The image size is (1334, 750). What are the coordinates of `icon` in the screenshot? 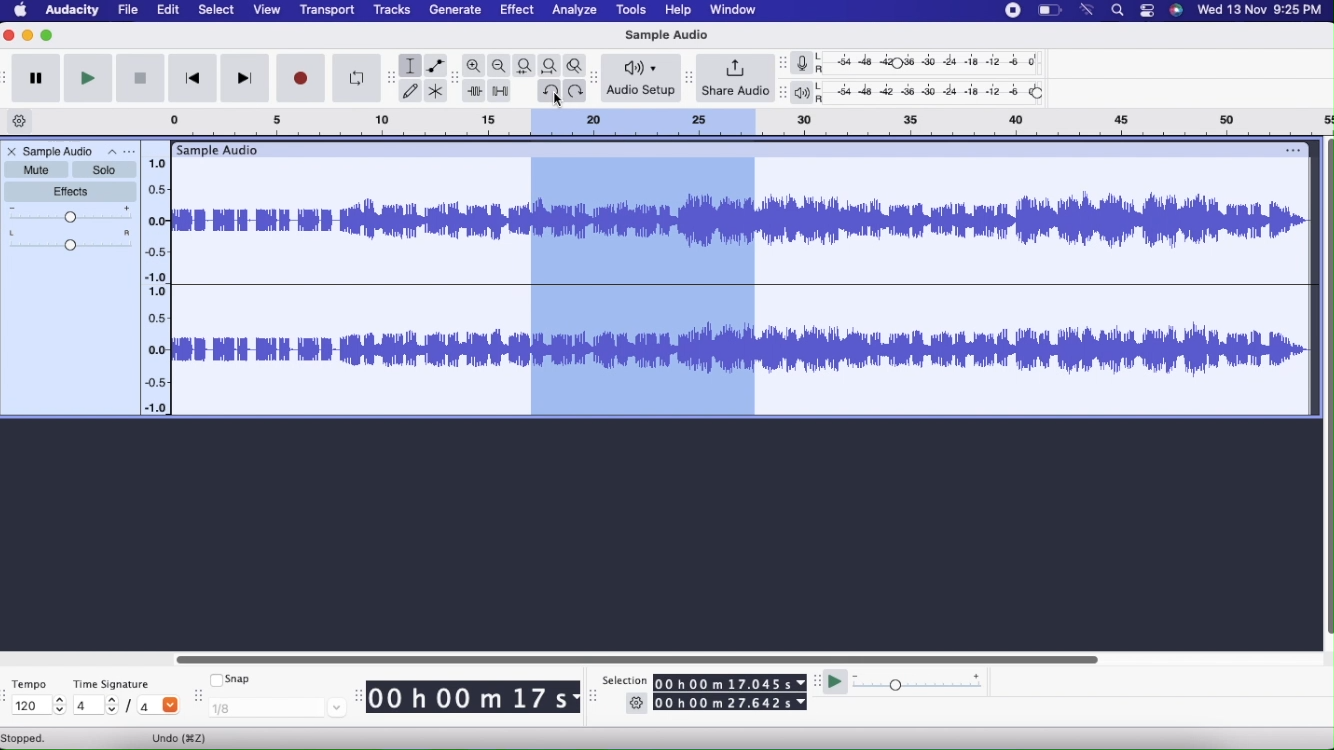 It's located at (1176, 10).